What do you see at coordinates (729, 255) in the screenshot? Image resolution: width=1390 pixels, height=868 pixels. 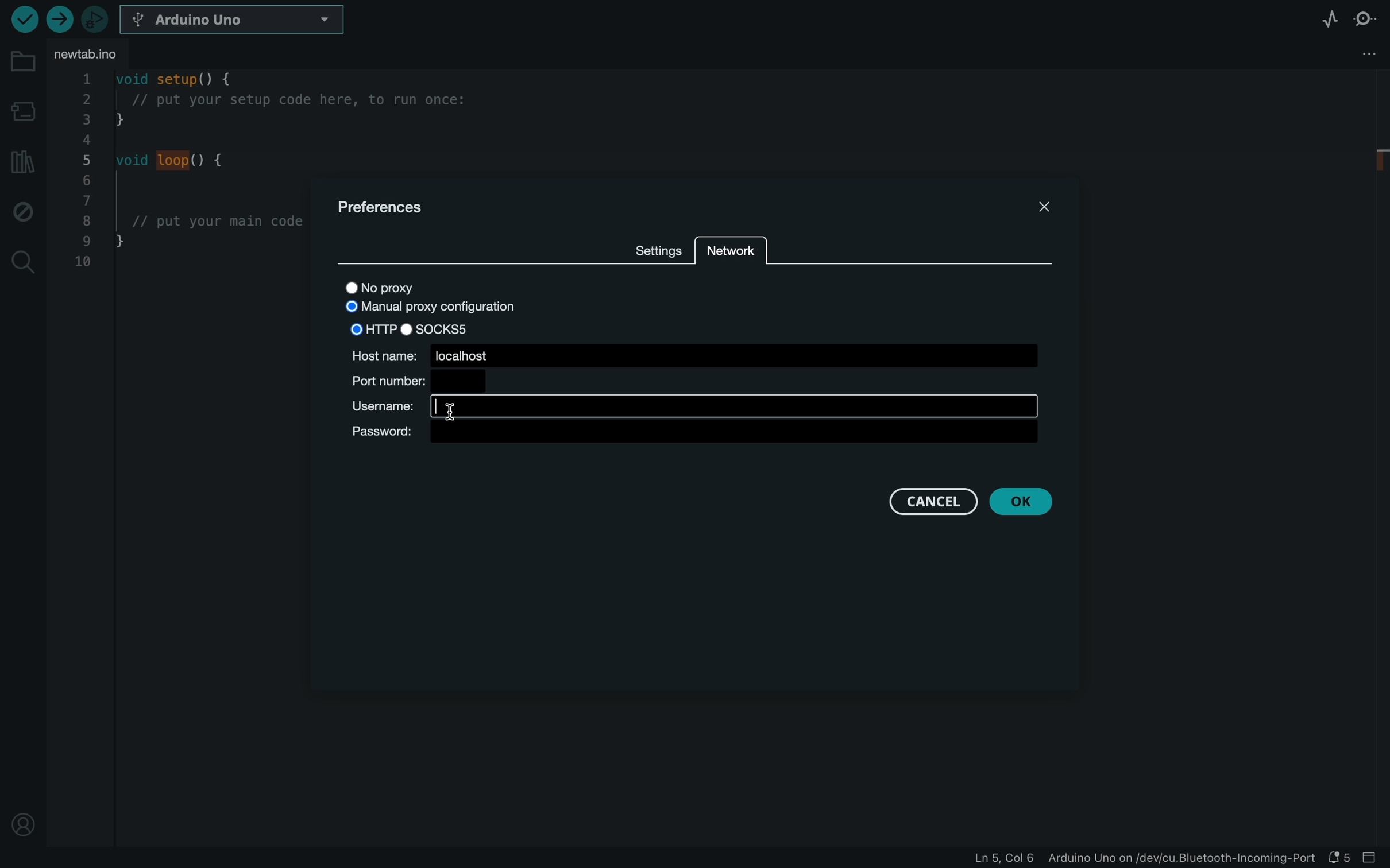 I see `network` at bounding box center [729, 255].